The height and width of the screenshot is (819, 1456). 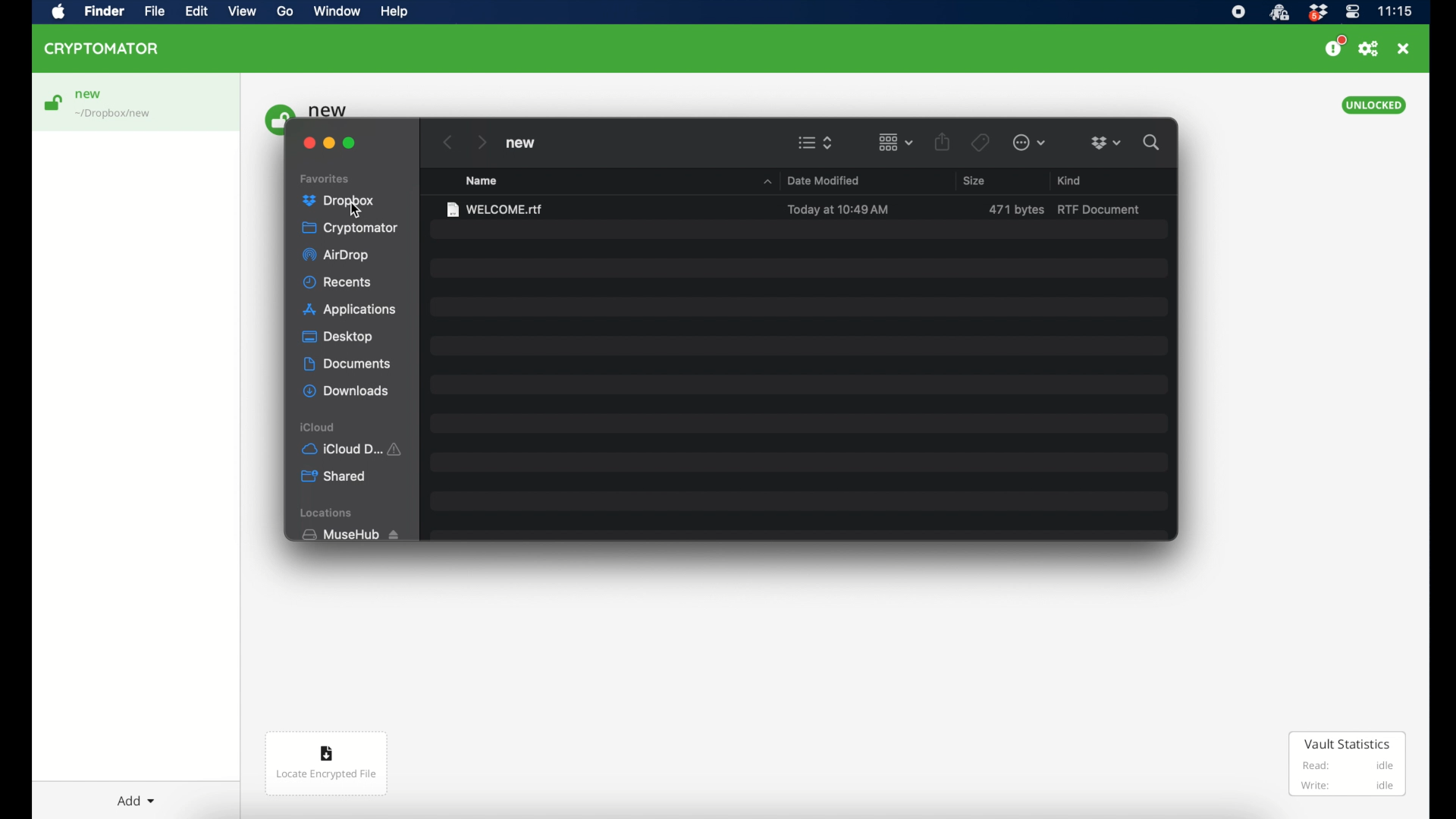 I want to click on new, so click(x=520, y=143).